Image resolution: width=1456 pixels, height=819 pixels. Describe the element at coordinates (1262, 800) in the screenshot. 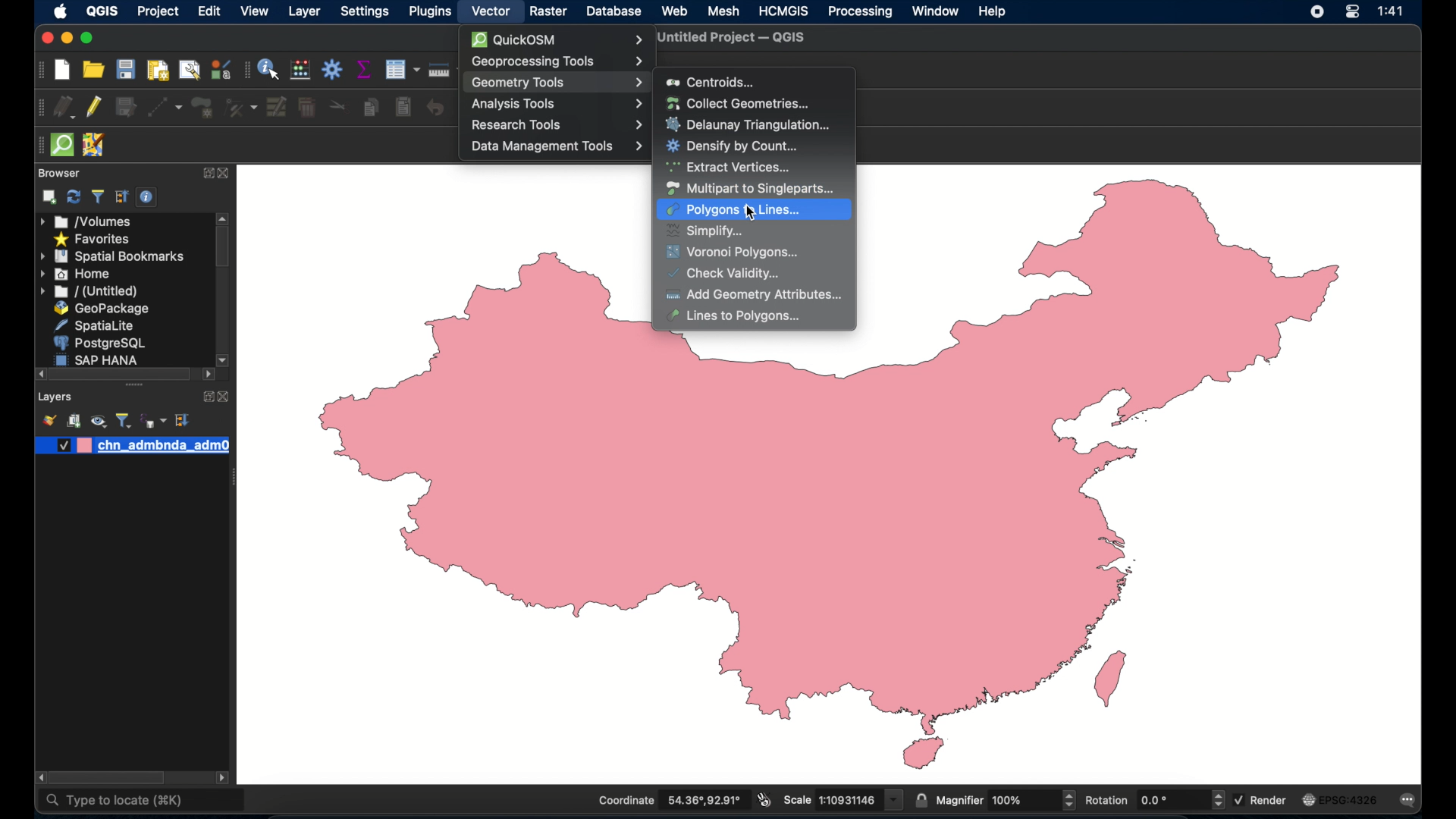

I see `render` at that location.